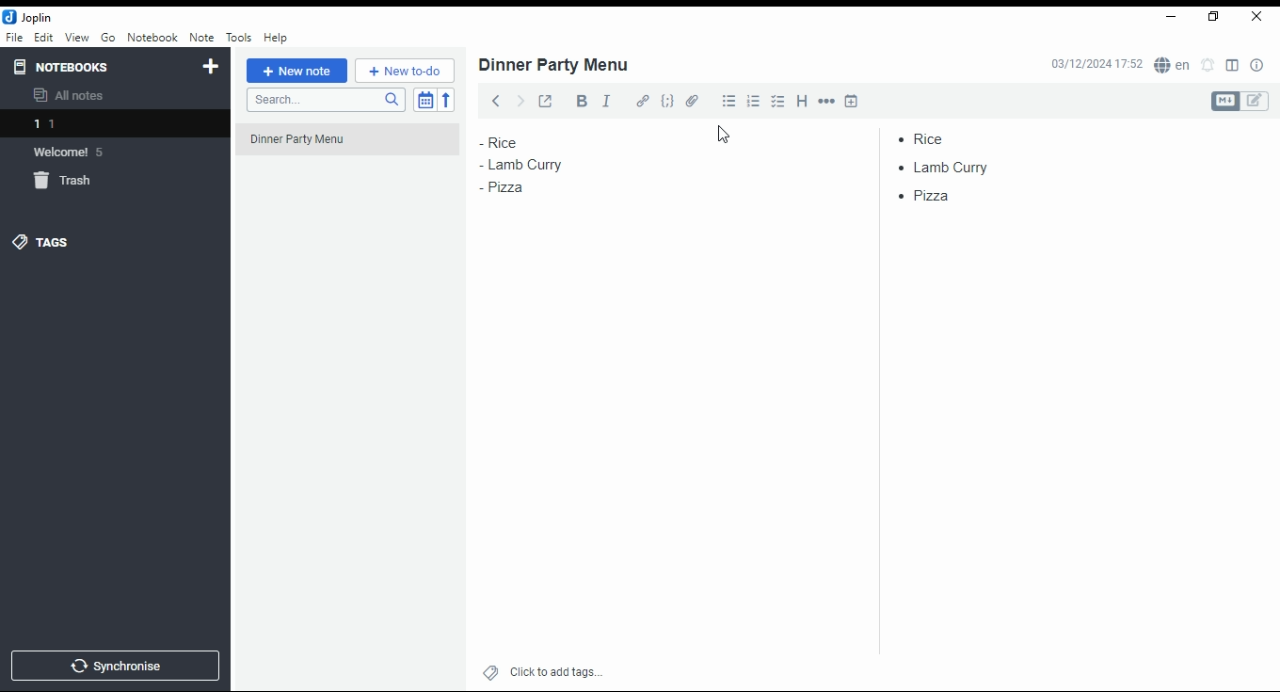  Describe the element at coordinates (448, 99) in the screenshot. I see `reverse sort order` at that location.